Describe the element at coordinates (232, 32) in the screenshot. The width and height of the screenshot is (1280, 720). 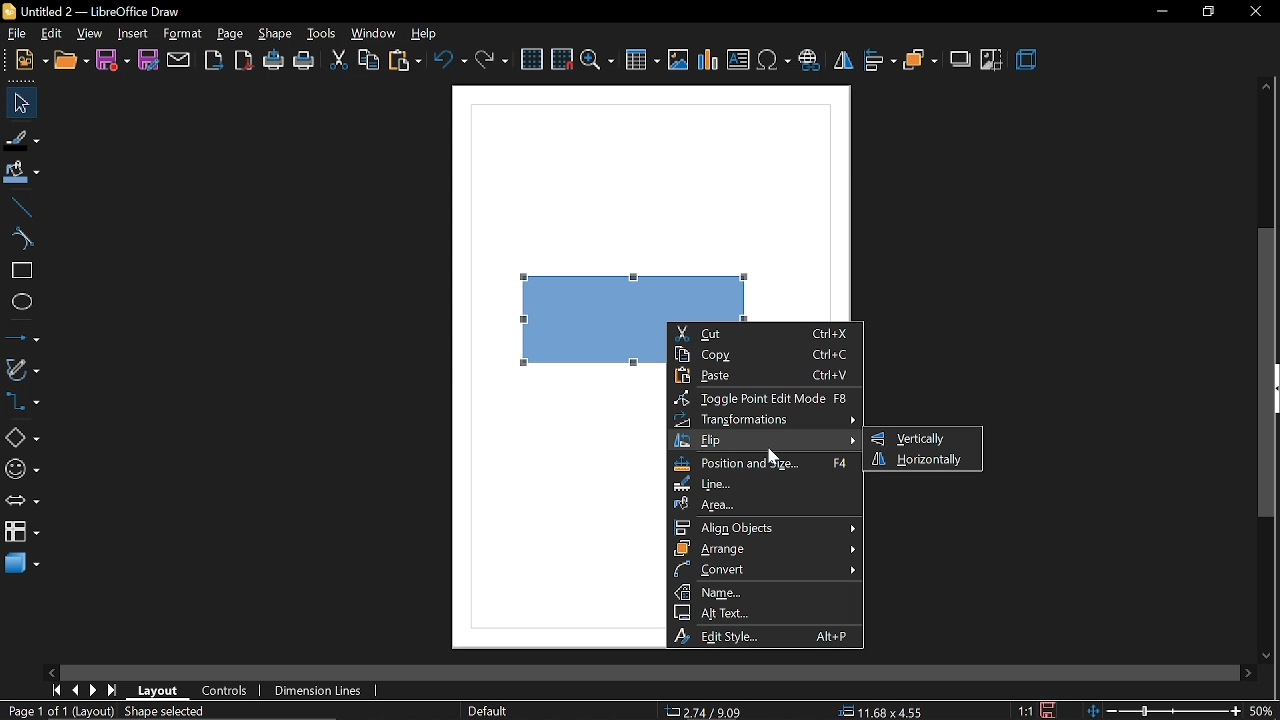
I see `page` at that location.